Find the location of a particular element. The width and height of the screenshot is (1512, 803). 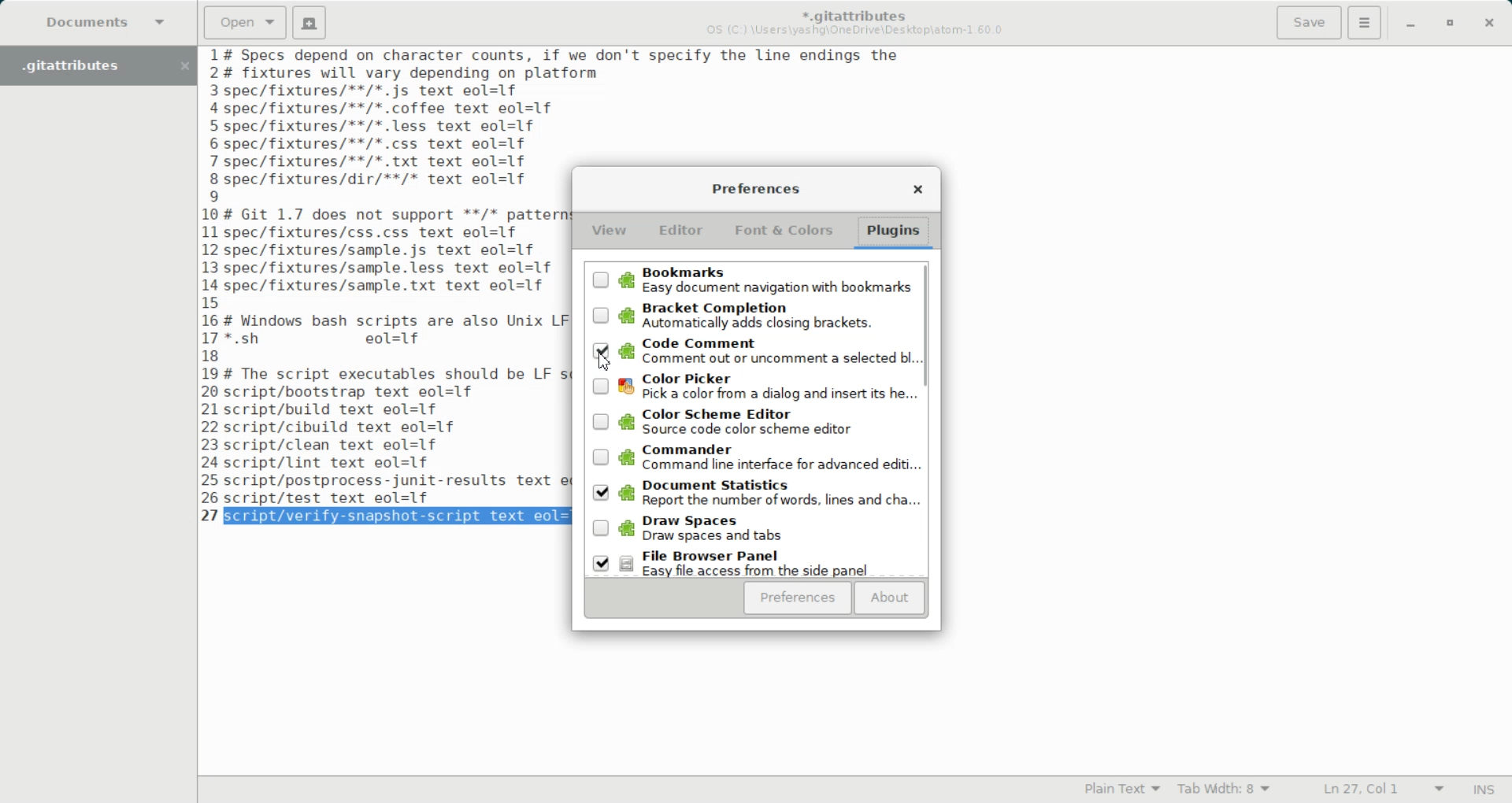

Maximize is located at coordinates (1451, 24).